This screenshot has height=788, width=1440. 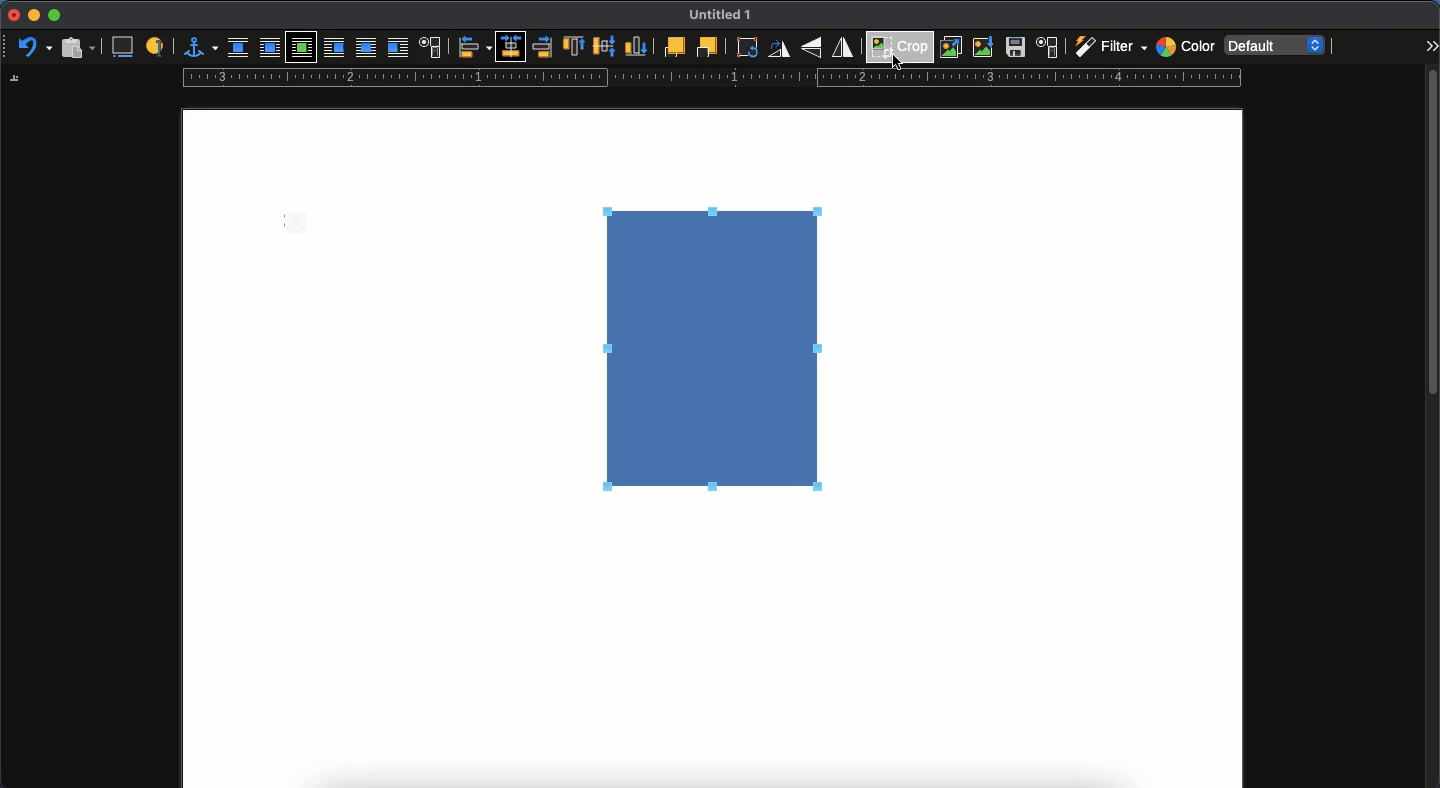 I want to click on through, so click(x=366, y=49).